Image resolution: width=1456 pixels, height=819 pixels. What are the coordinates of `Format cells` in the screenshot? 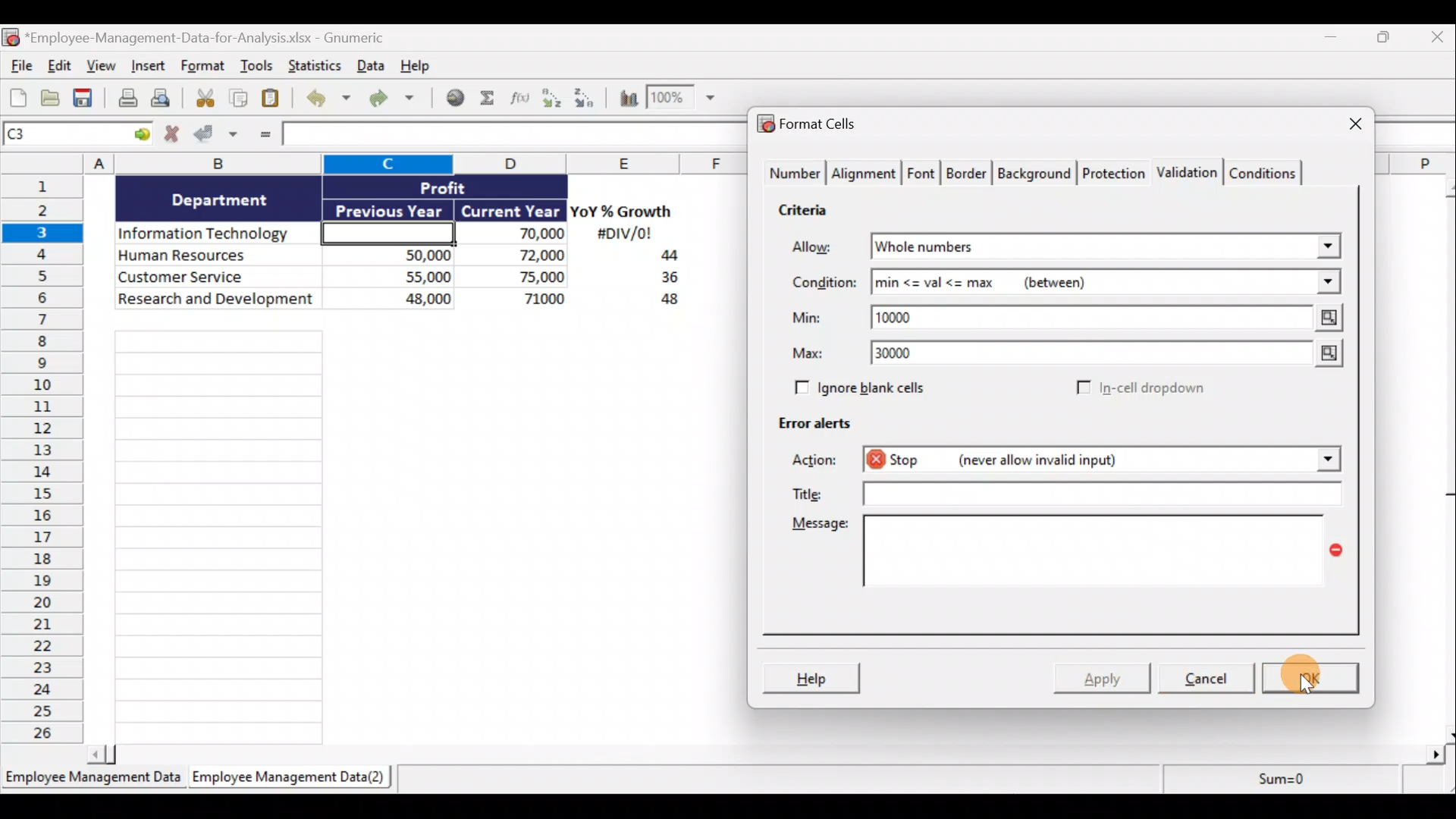 It's located at (811, 126).